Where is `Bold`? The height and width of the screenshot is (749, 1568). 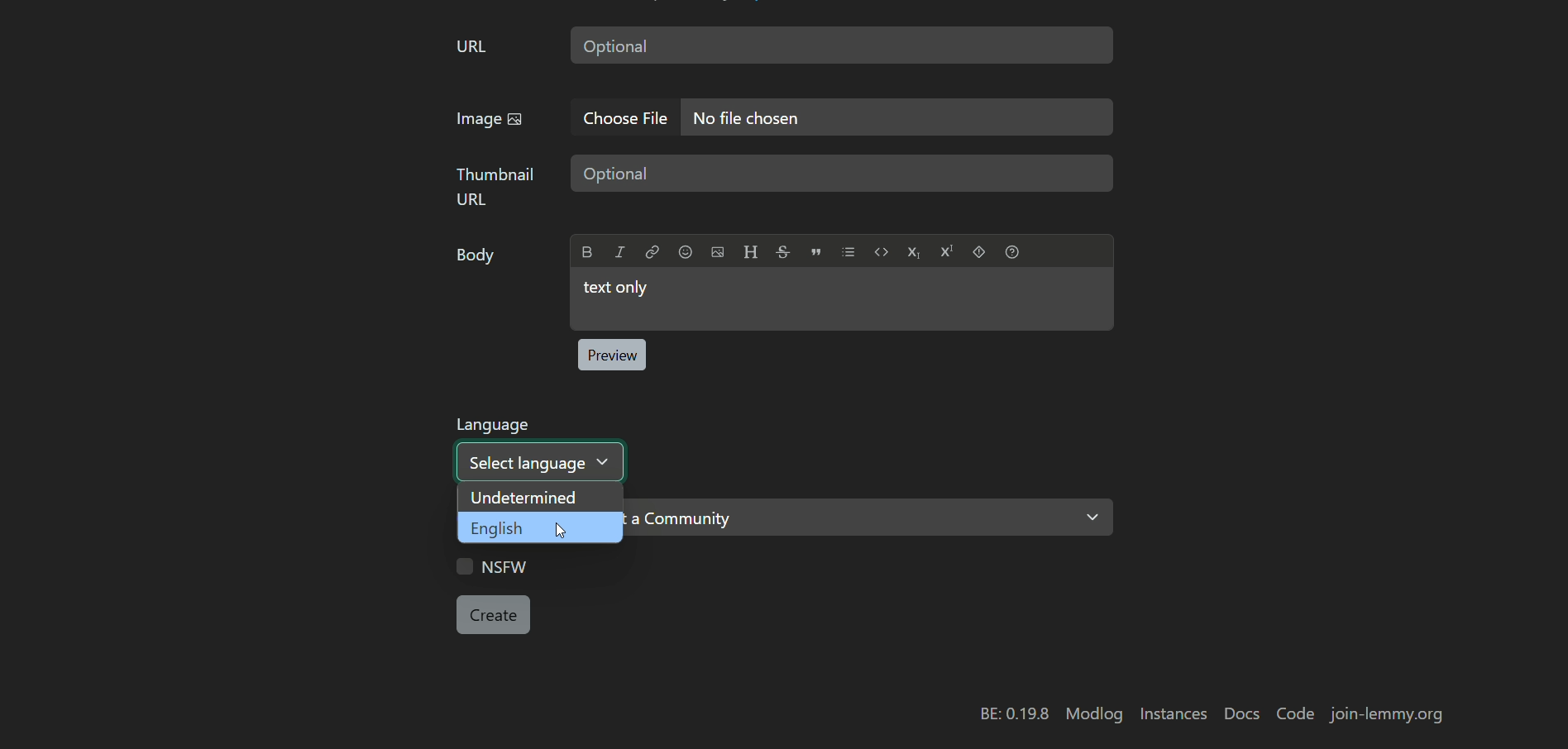
Bold is located at coordinates (588, 252).